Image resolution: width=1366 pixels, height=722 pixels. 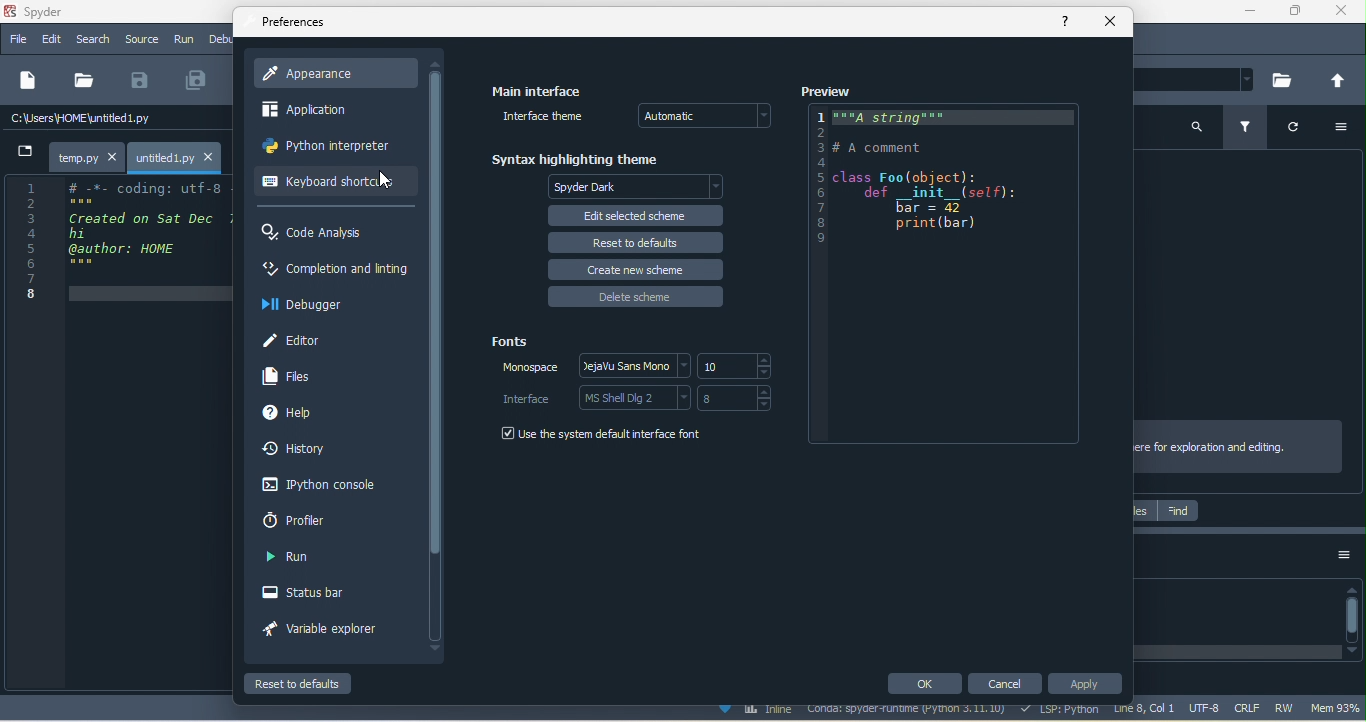 I want to click on inline, so click(x=760, y=711).